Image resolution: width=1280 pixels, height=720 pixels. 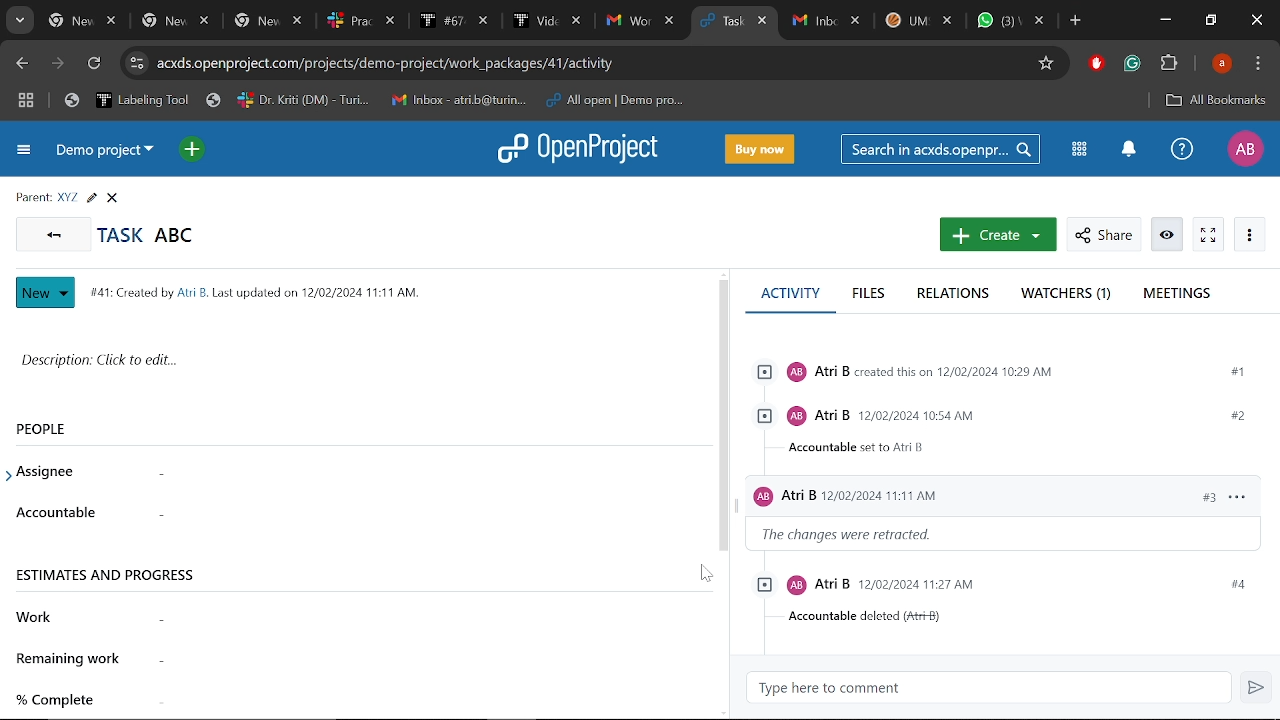 What do you see at coordinates (251, 292) in the screenshot?
I see `Project info` at bounding box center [251, 292].